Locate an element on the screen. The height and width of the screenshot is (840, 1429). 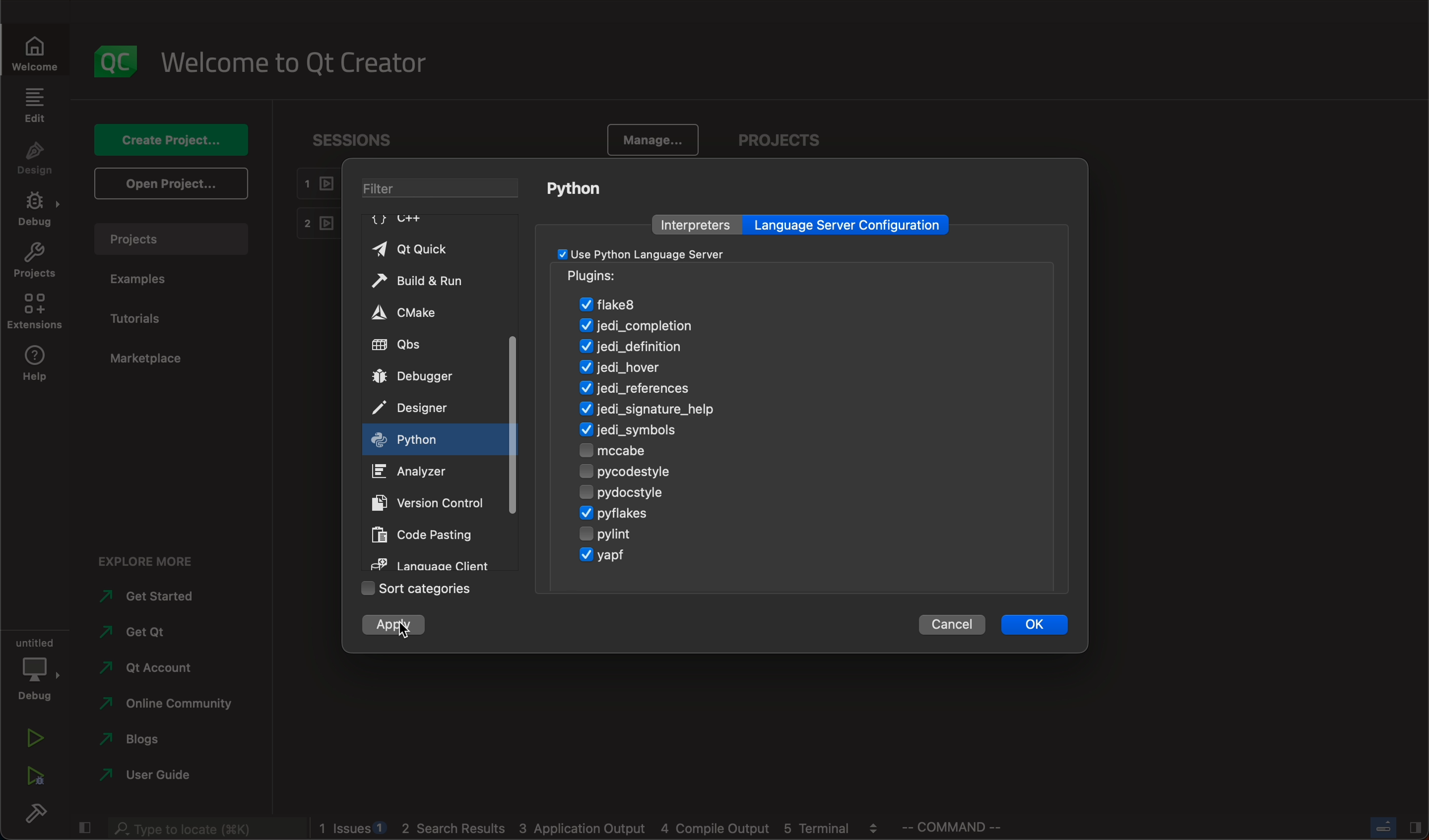
debug is located at coordinates (38, 669).